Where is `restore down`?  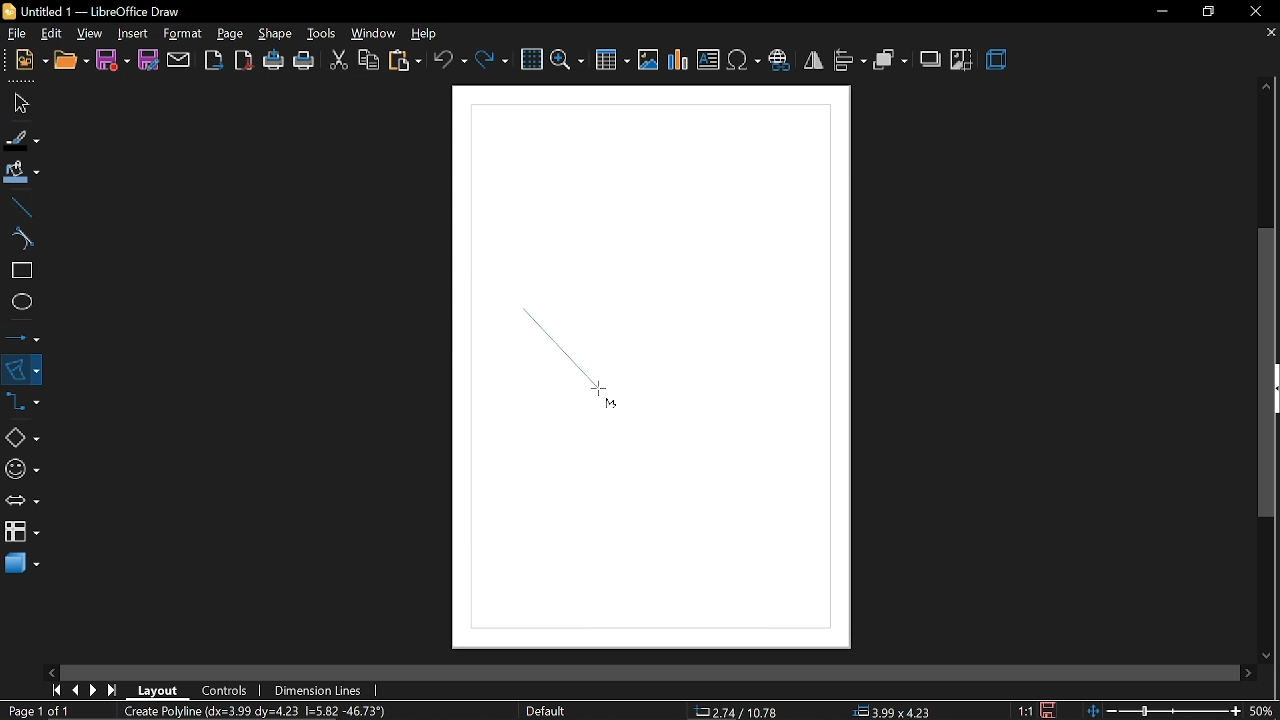 restore down is located at coordinates (1209, 11).